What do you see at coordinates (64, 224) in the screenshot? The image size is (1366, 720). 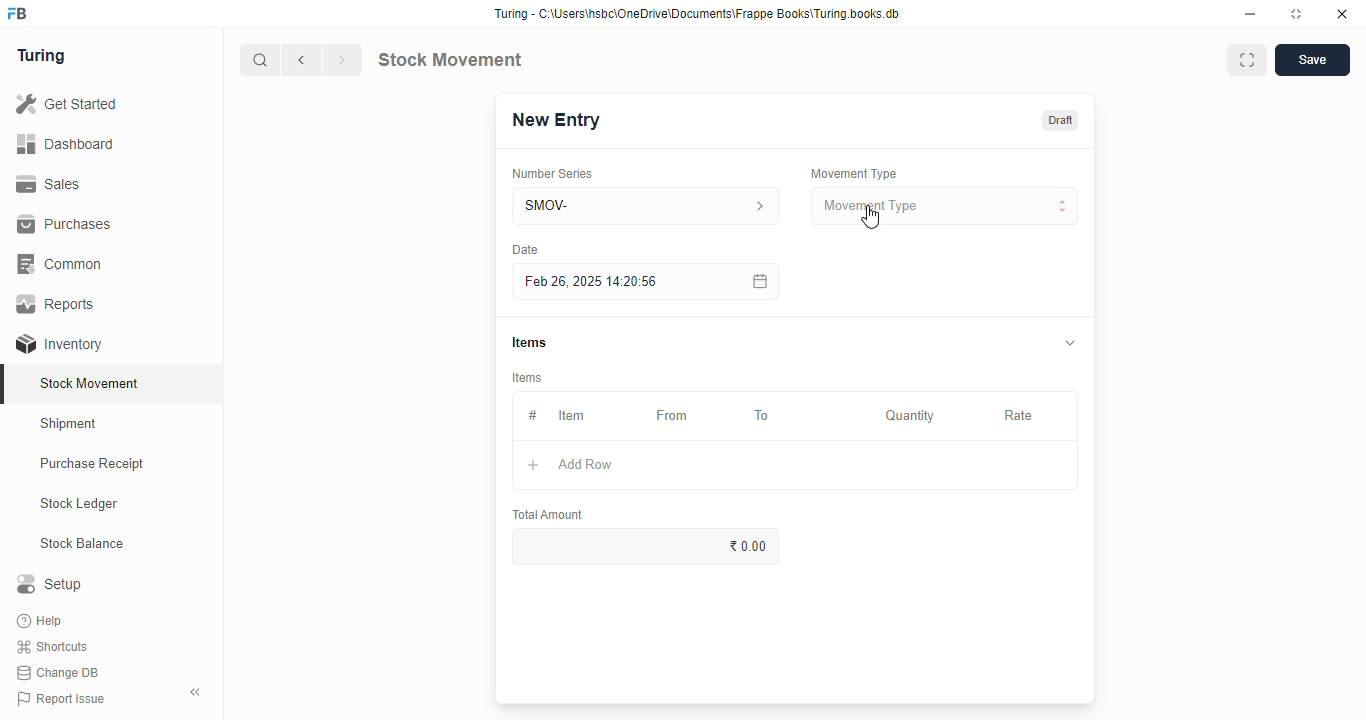 I see `purchases` at bounding box center [64, 224].